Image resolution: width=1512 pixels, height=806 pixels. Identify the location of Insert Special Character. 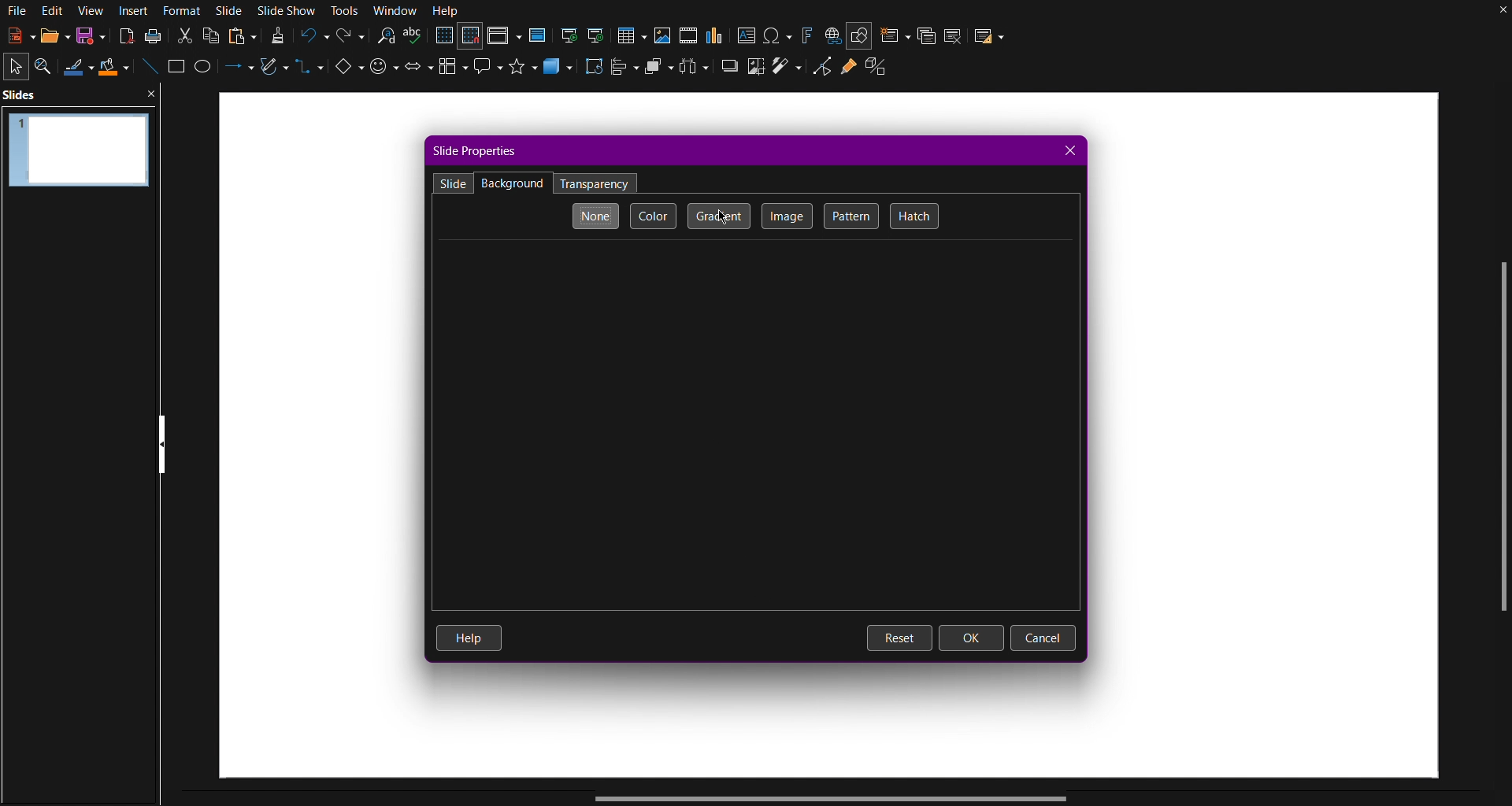
(779, 35).